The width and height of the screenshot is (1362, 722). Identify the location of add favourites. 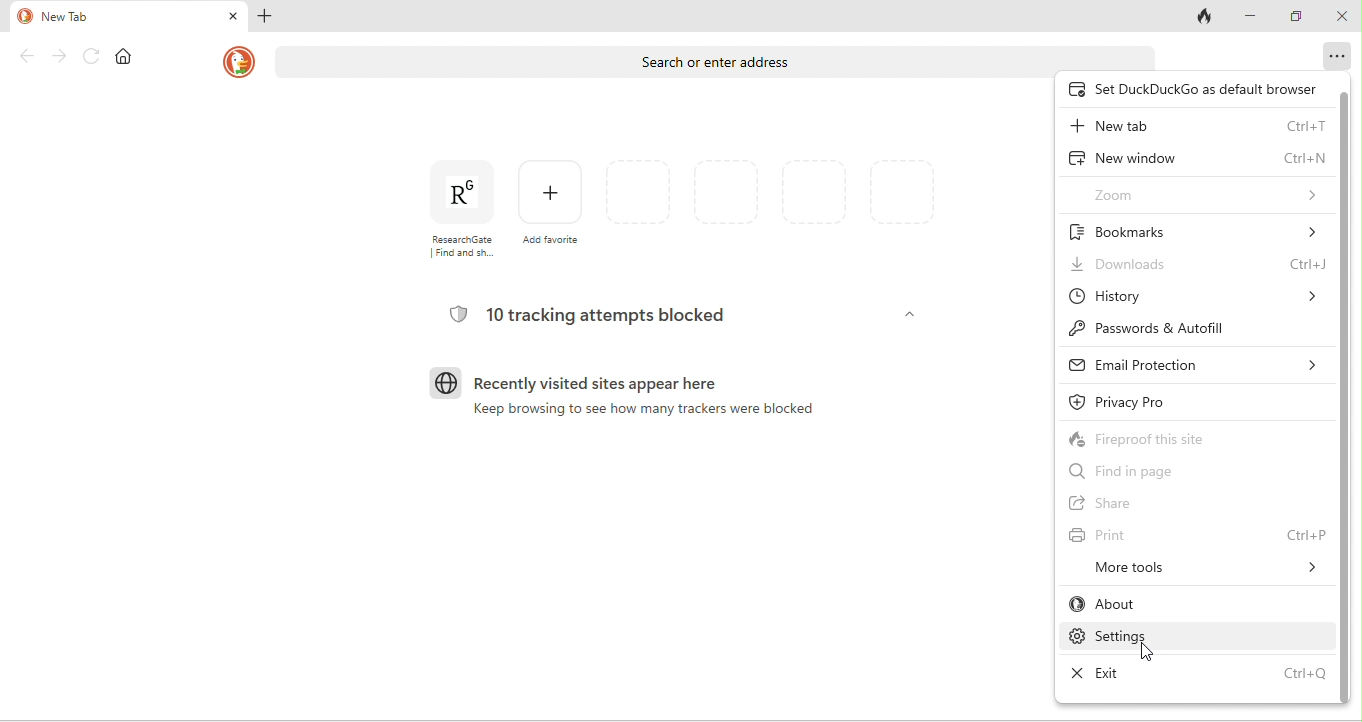
(550, 215).